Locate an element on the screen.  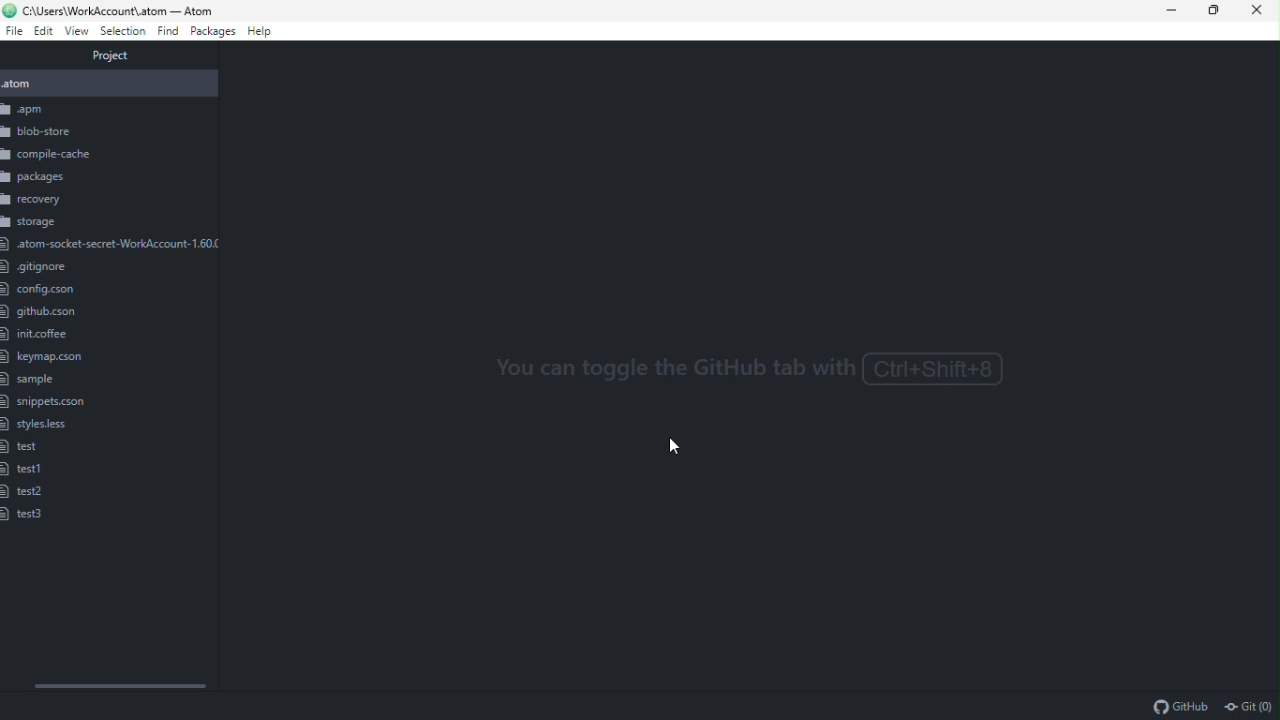
find is located at coordinates (169, 32).